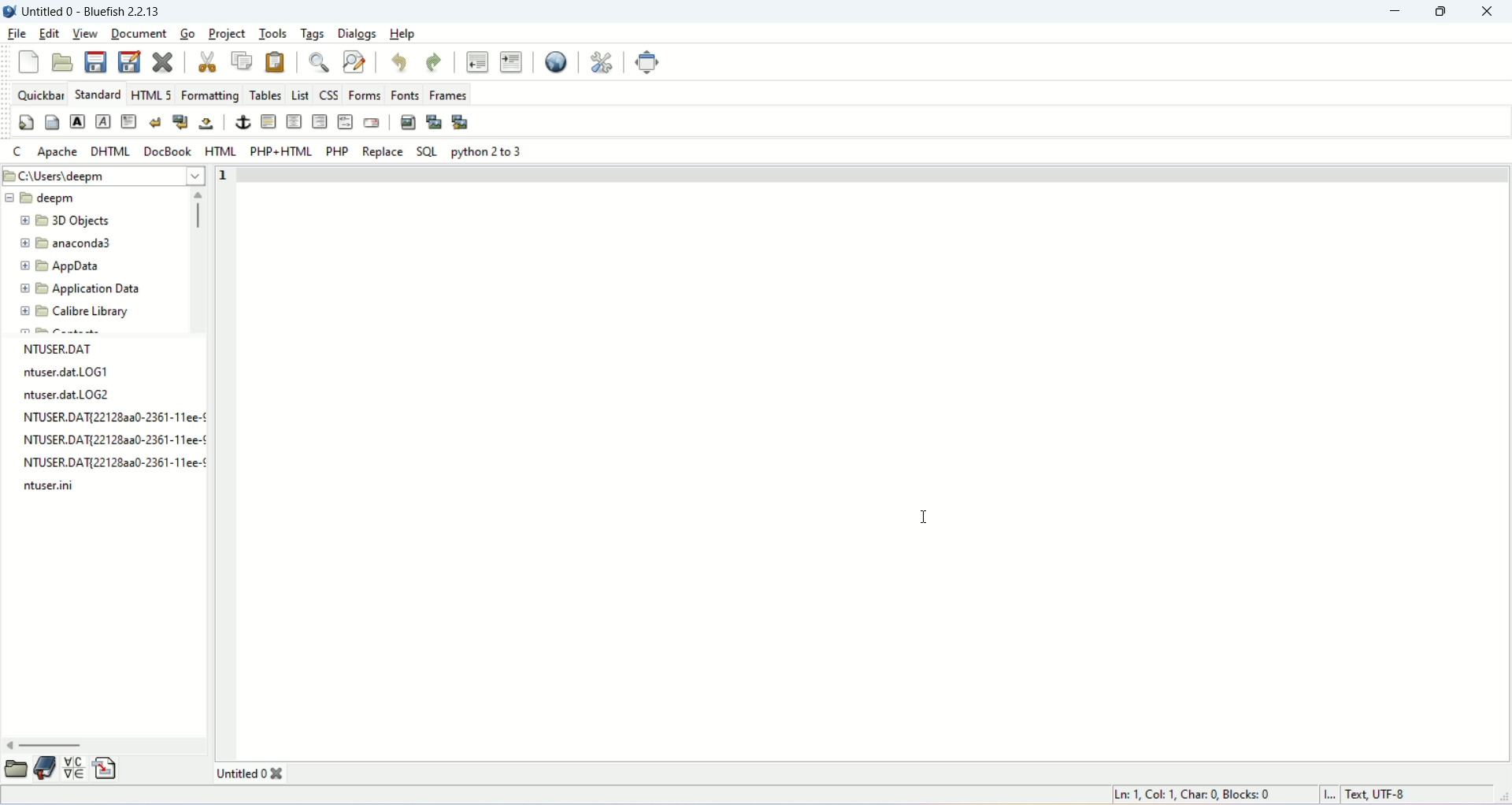  I want to click on CSS, so click(329, 93).